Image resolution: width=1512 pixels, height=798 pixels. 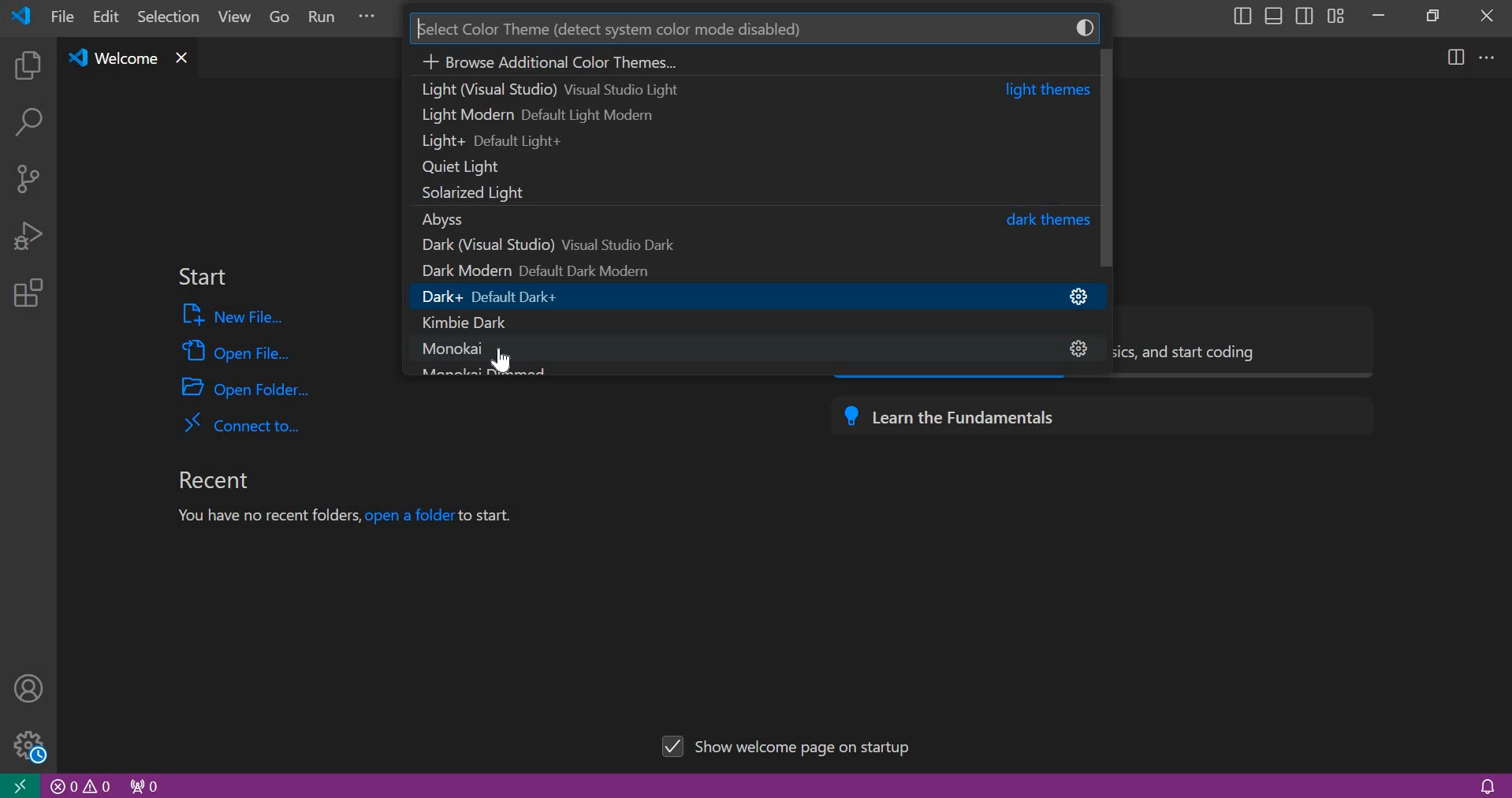 I want to click on no notifications, so click(x=1487, y=785).